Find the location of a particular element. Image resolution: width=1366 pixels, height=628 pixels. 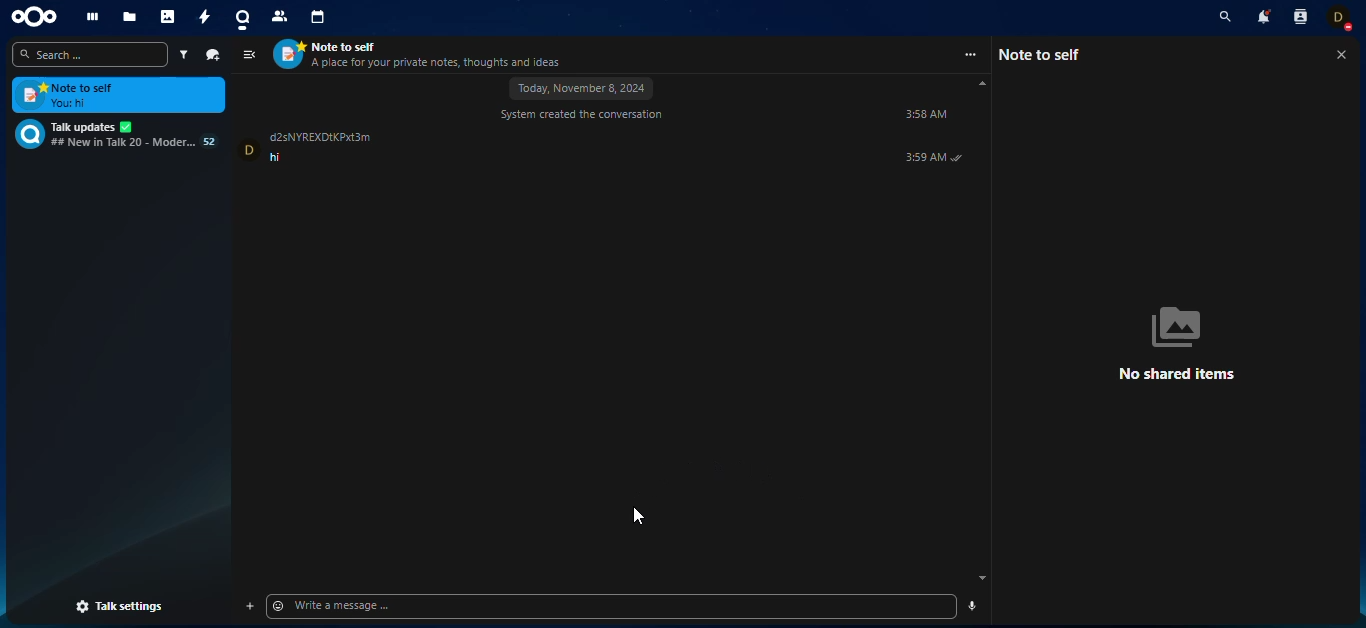

time is located at coordinates (924, 115).